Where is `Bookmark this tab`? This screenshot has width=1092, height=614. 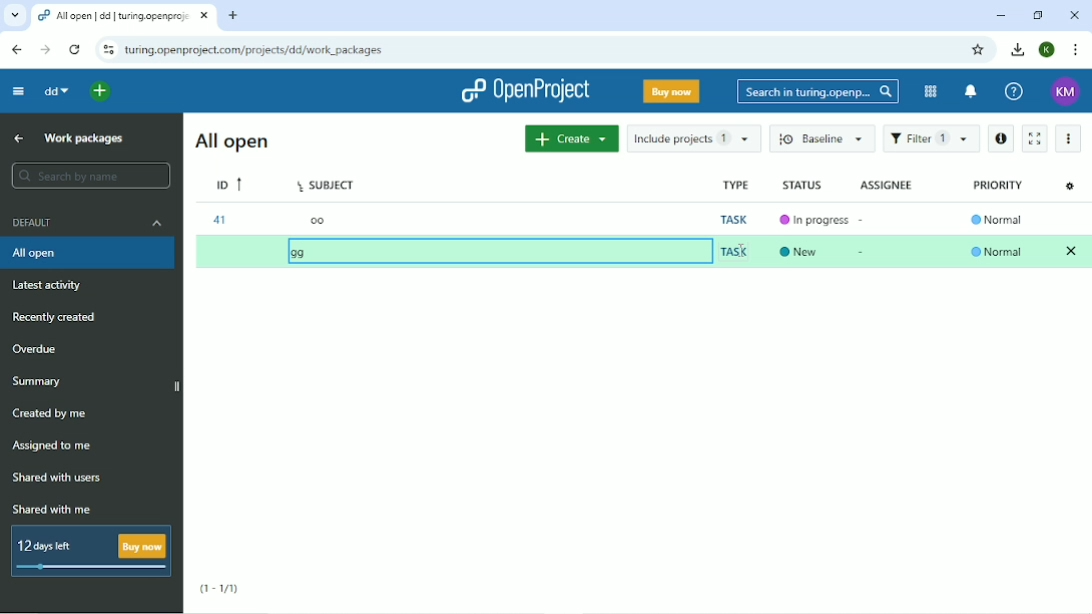
Bookmark this tab is located at coordinates (979, 50).